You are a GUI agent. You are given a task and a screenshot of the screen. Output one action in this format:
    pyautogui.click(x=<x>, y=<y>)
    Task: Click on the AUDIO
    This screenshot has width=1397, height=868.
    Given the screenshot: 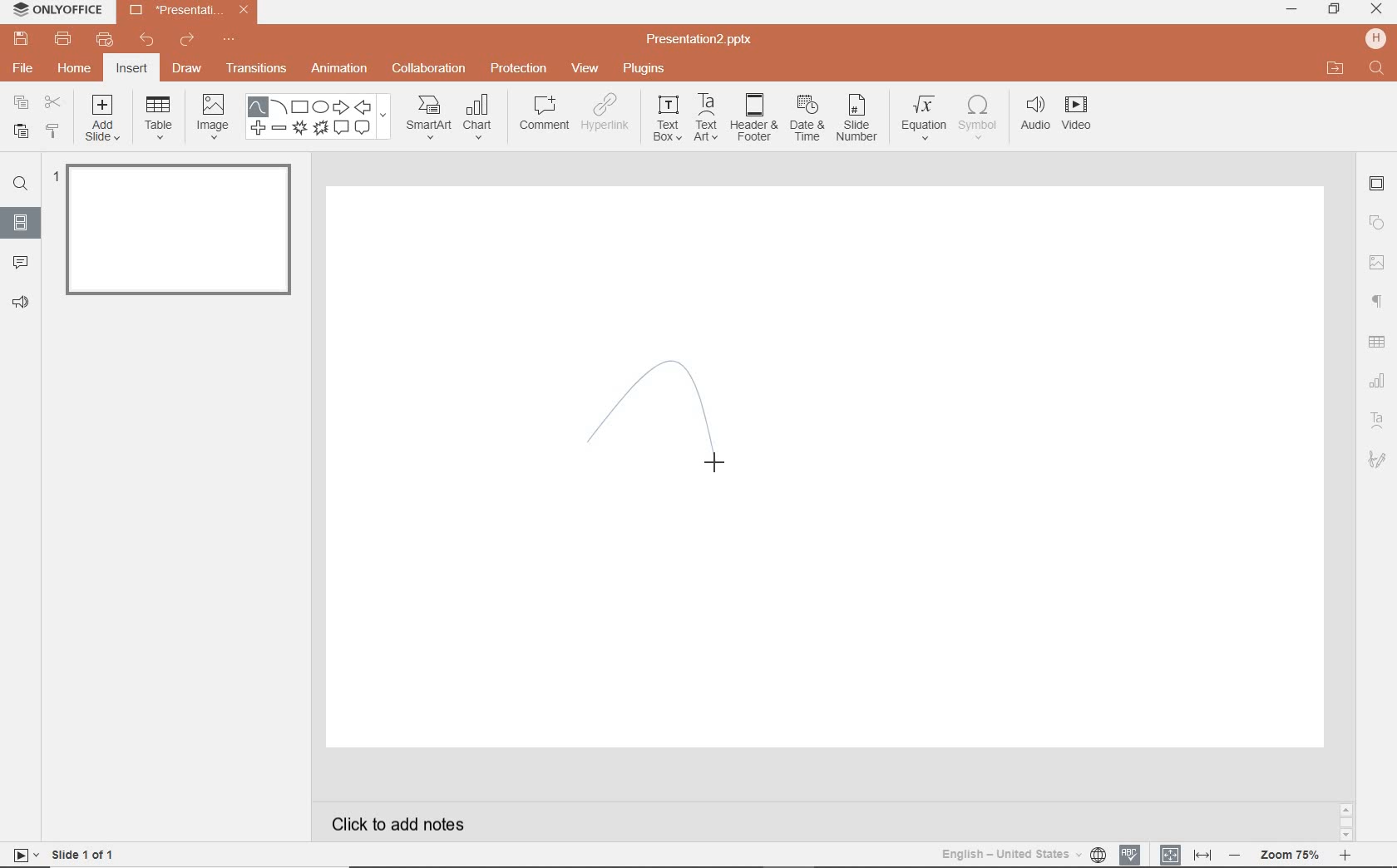 What is the action you would take?
    pyautogui.click(x=1036, y=114)
    